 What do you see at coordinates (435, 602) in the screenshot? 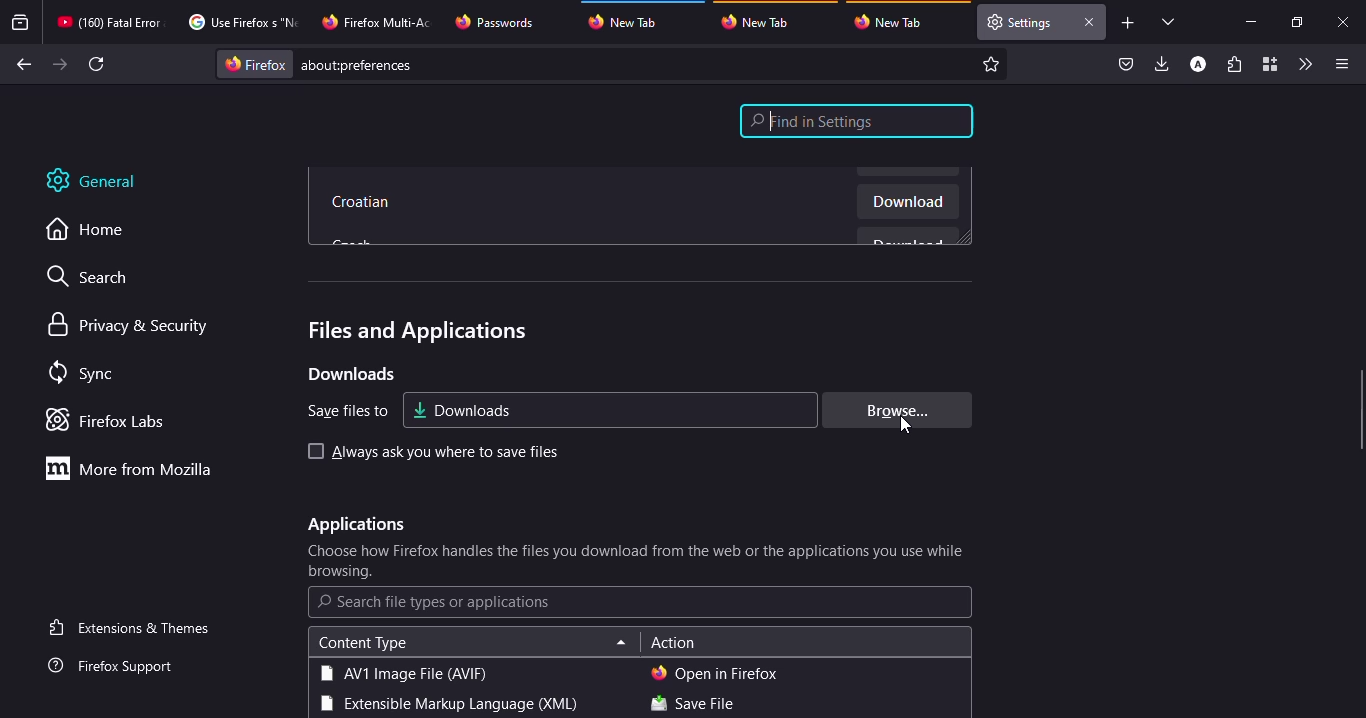
I see `search` at bounding box center [435, 602].